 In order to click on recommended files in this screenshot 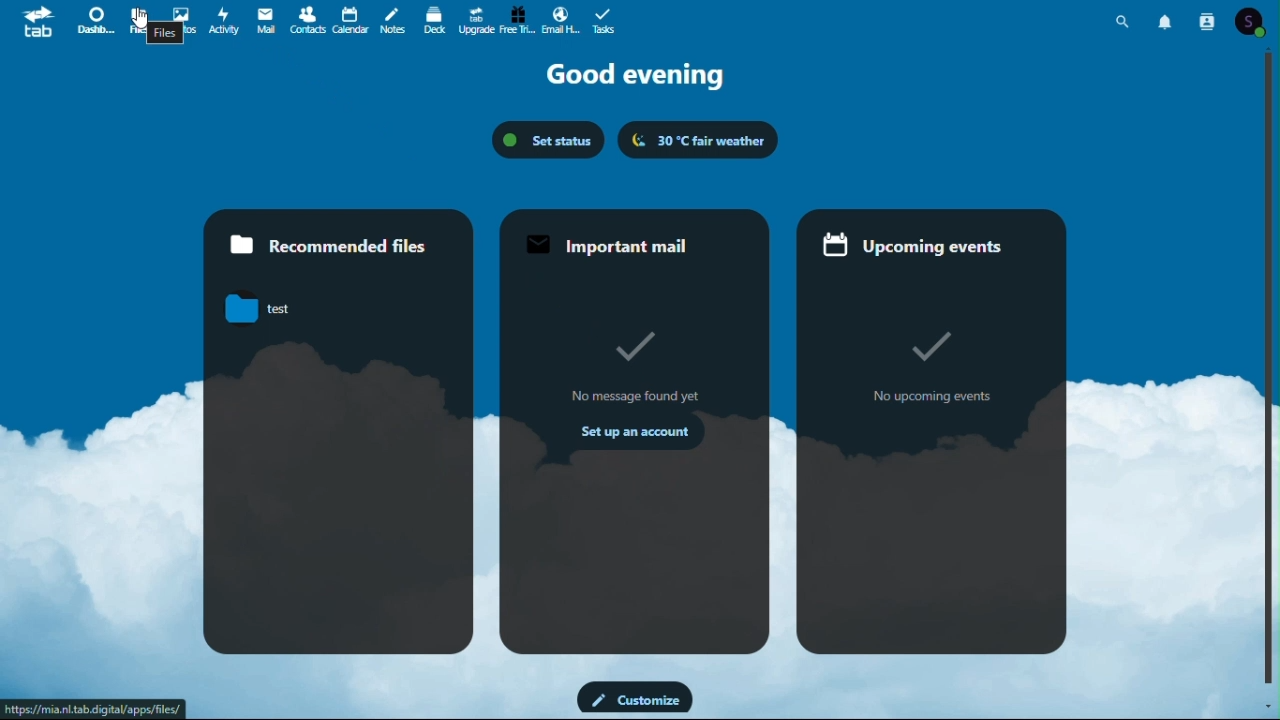, I will do `click(339, 433)`.